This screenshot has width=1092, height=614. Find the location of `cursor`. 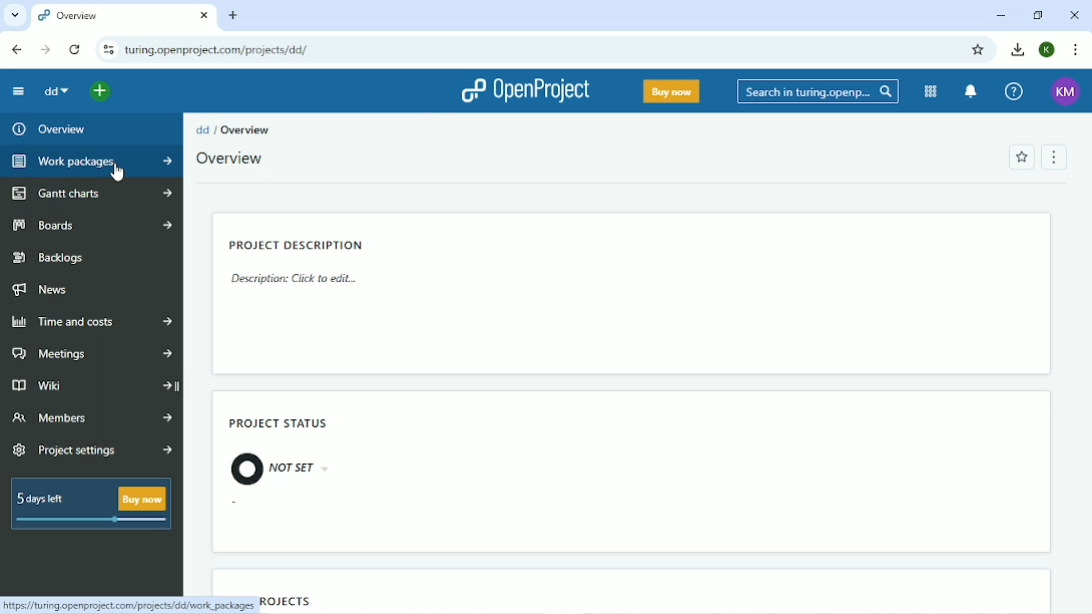

cursor is located at coordinates (116, 174).